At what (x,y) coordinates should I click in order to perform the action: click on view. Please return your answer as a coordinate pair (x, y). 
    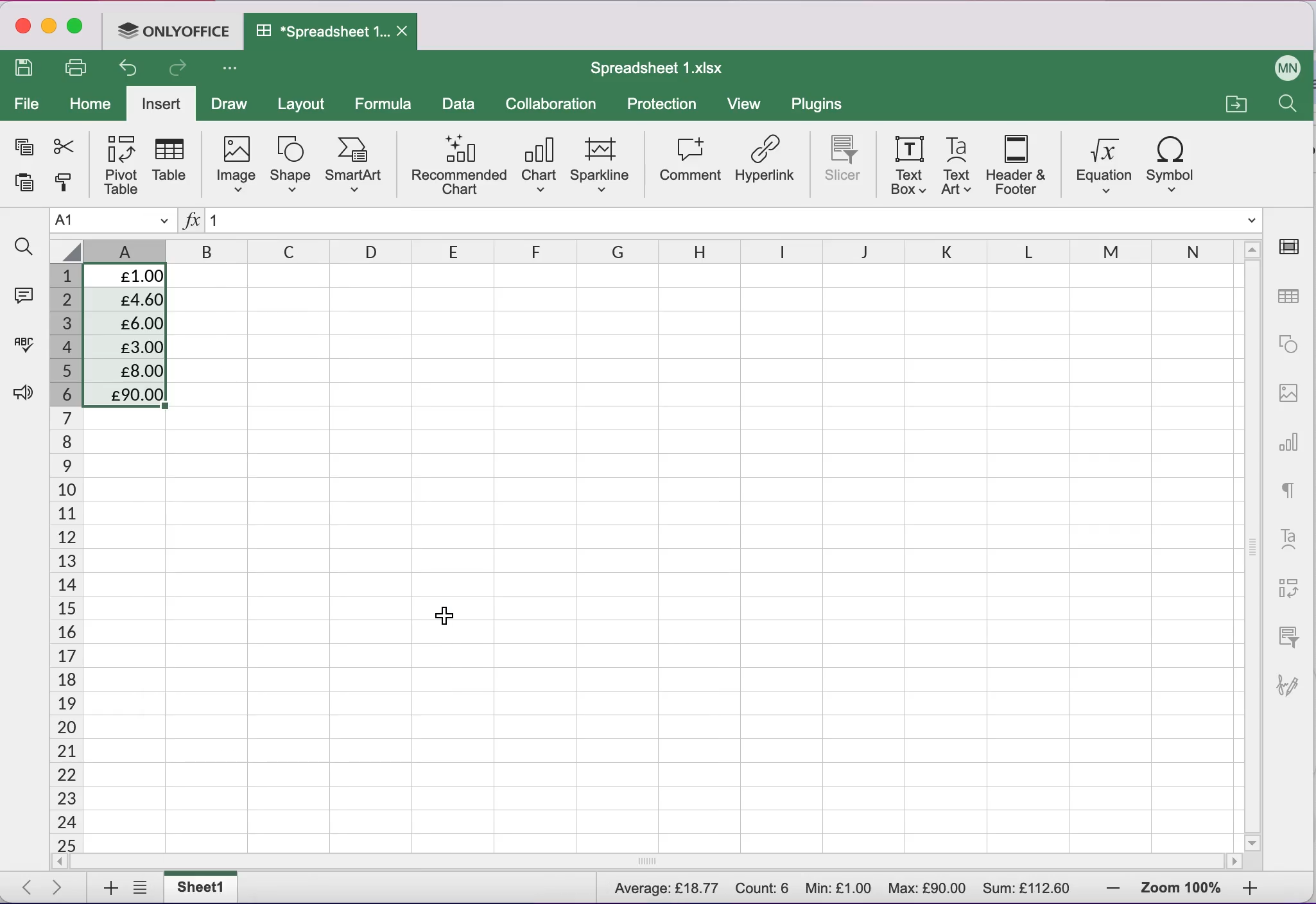
    Looking at the image, I should click on (745, 103).